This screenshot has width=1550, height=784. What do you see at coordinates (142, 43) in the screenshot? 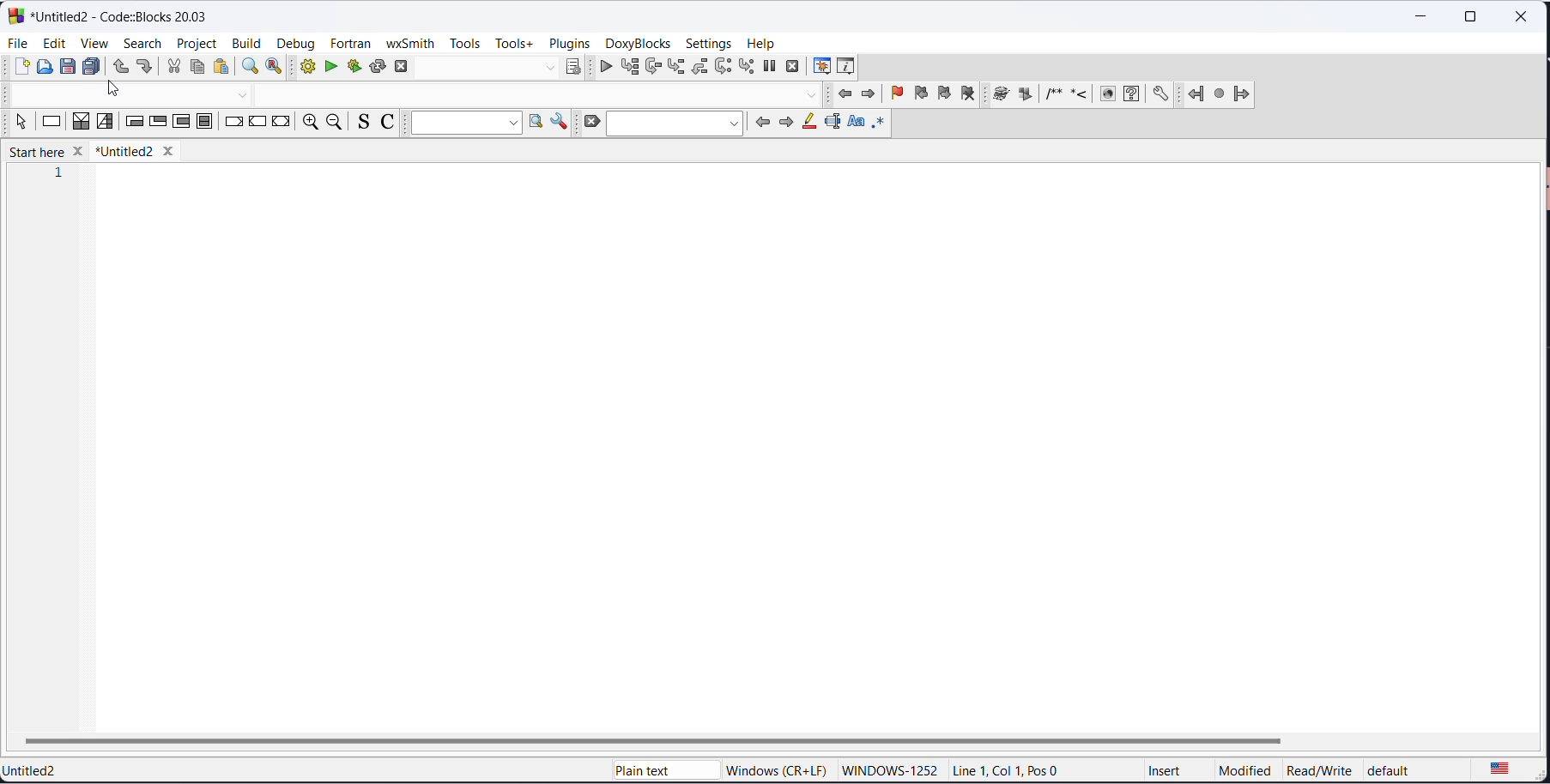
I see `Search` at bounding box center [142, 43].